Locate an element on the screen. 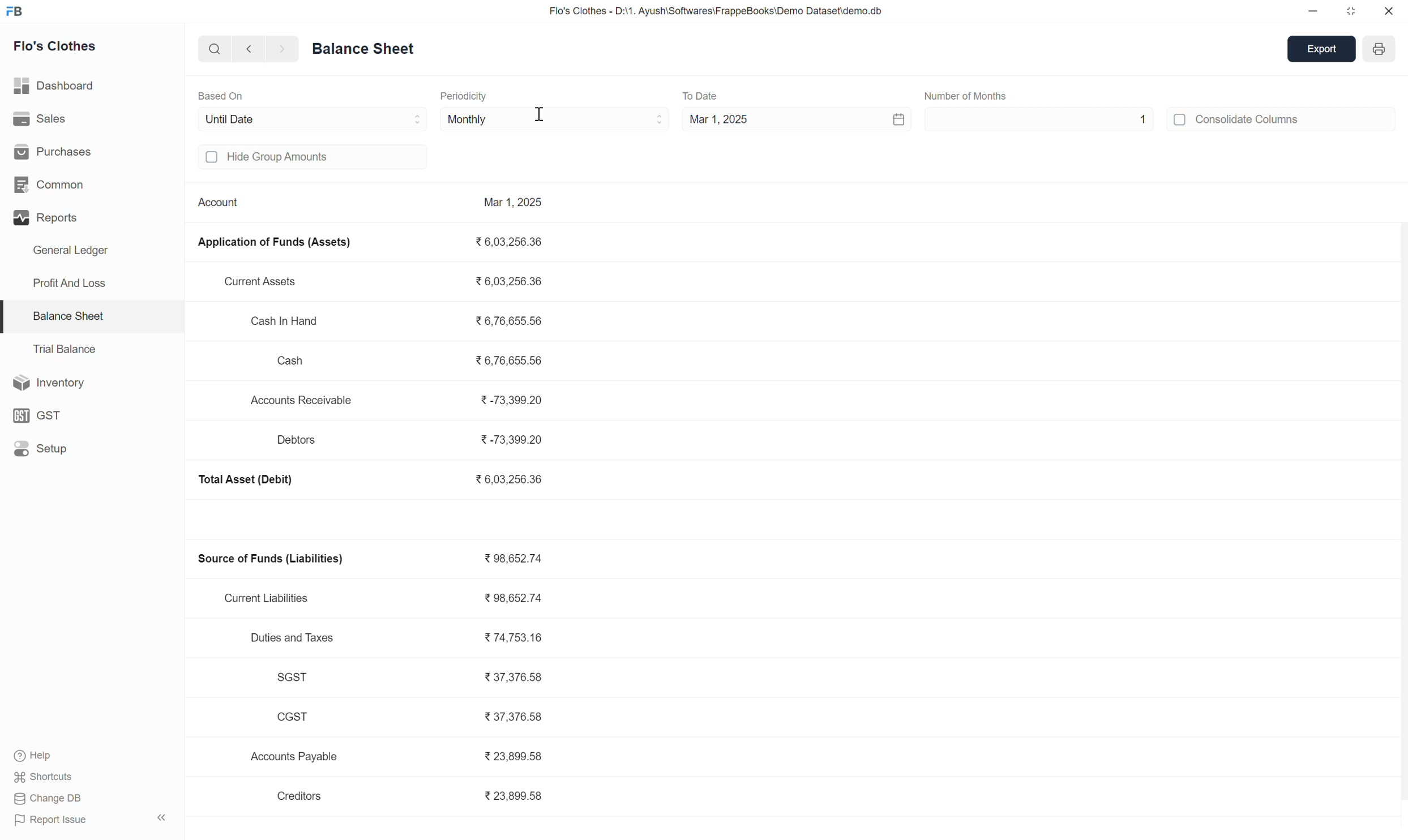 Image resolution: width=1408 pixels, height=840 pixels. Flo's Clothes - D:\1. Ayush\Softwares\FrappeBooks\Demo Dataset\demo.db is located at coordinates (714, 10).